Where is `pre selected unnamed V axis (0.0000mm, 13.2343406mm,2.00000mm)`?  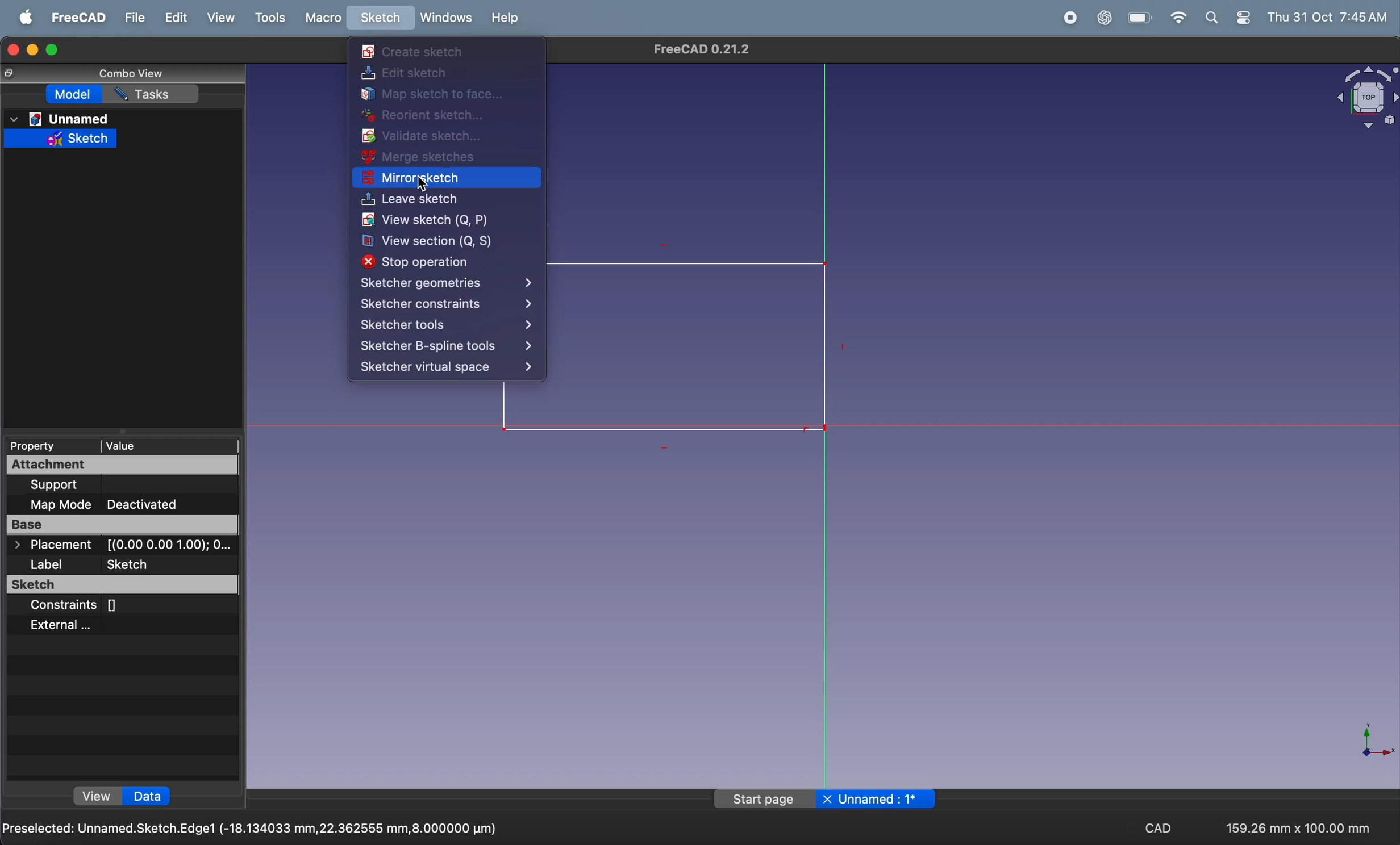
pre selected unnamed V axis (0.0000mm, 13.2343406mm,2.00000mm) is located at coordinates (254, 827).